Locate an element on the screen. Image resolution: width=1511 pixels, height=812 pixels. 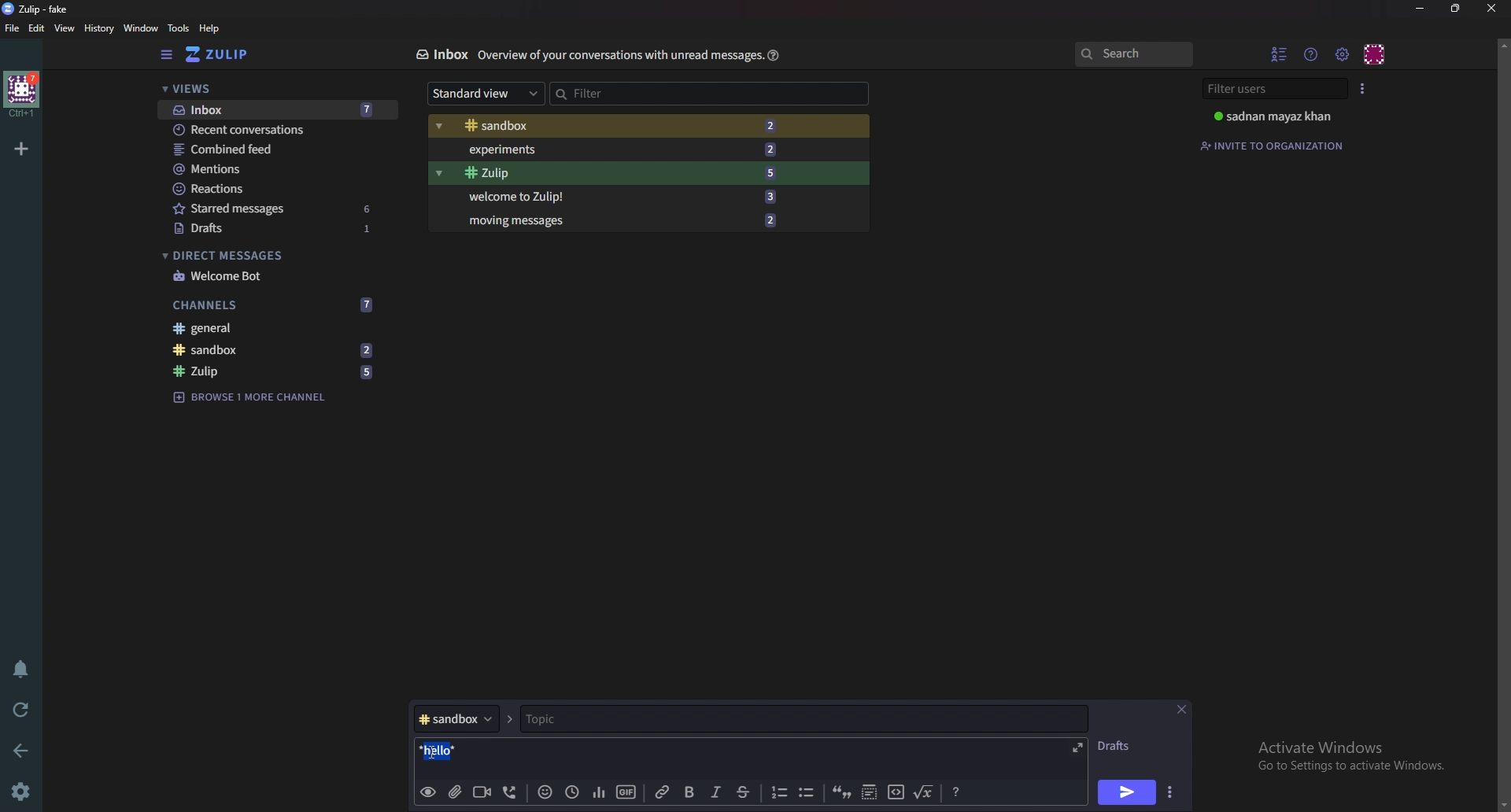
#Zulip 5 is located at coordinates (278, 370).